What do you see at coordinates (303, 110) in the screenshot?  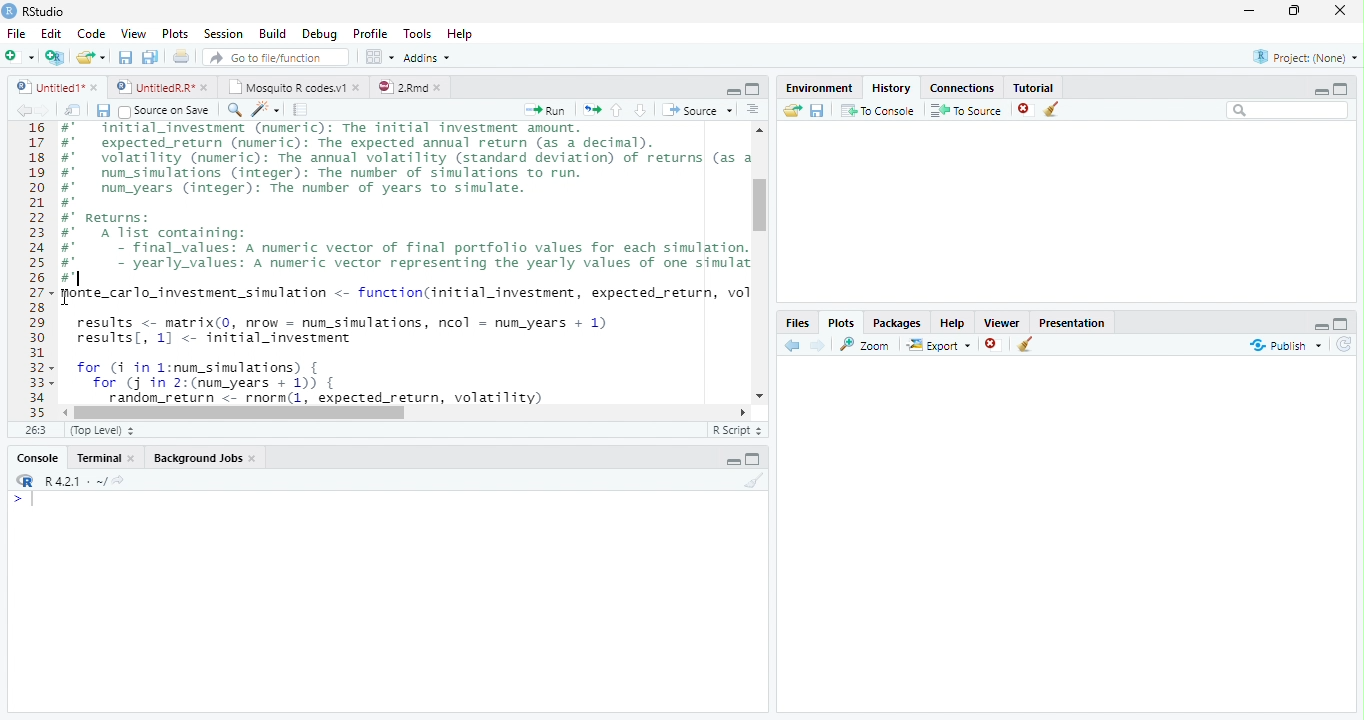 I see `Compile Report` at bounding box center [303, 110].